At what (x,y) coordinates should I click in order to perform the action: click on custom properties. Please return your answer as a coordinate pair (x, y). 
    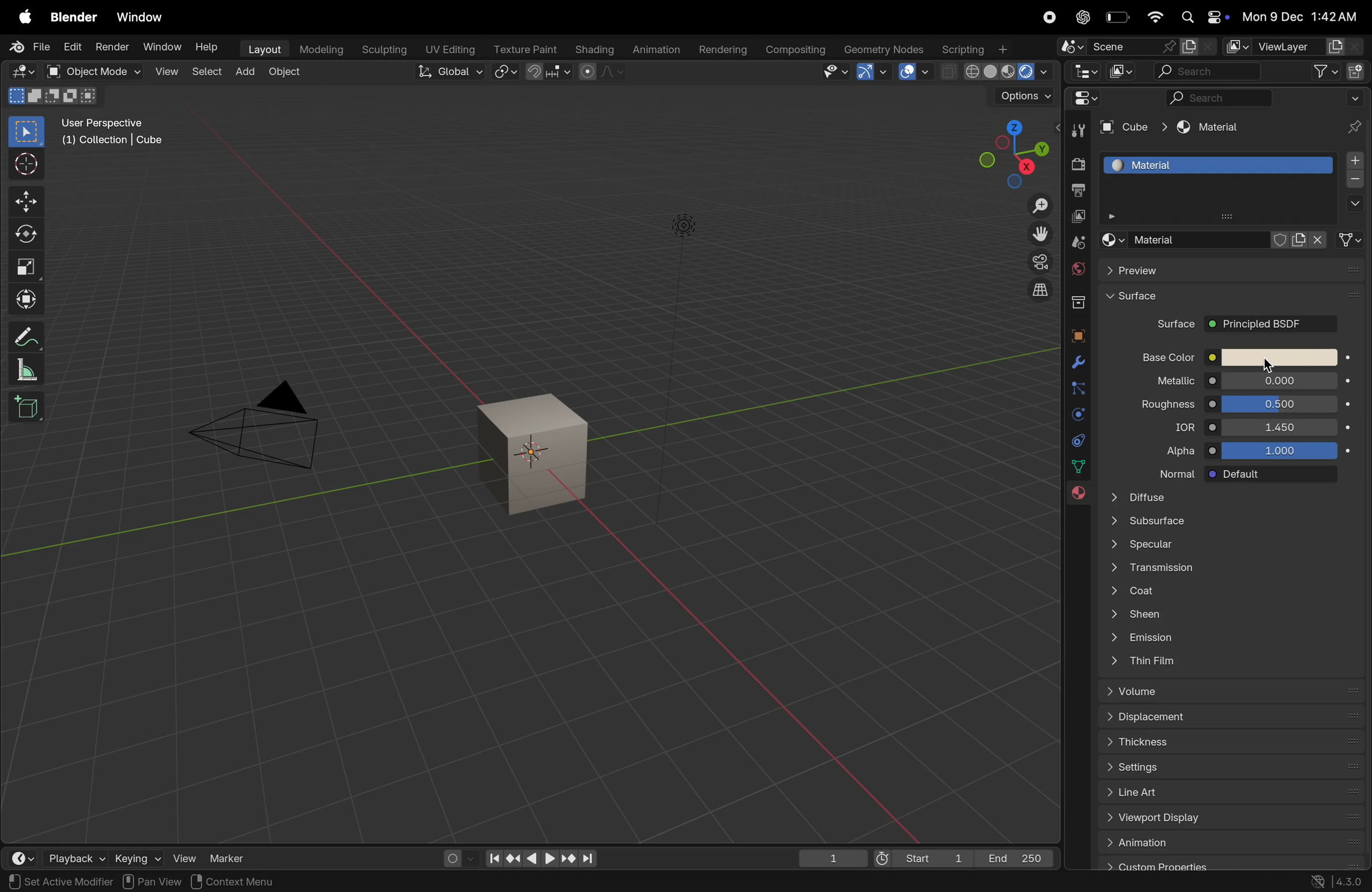
    Looking at the image, I should click on (1226, 864).